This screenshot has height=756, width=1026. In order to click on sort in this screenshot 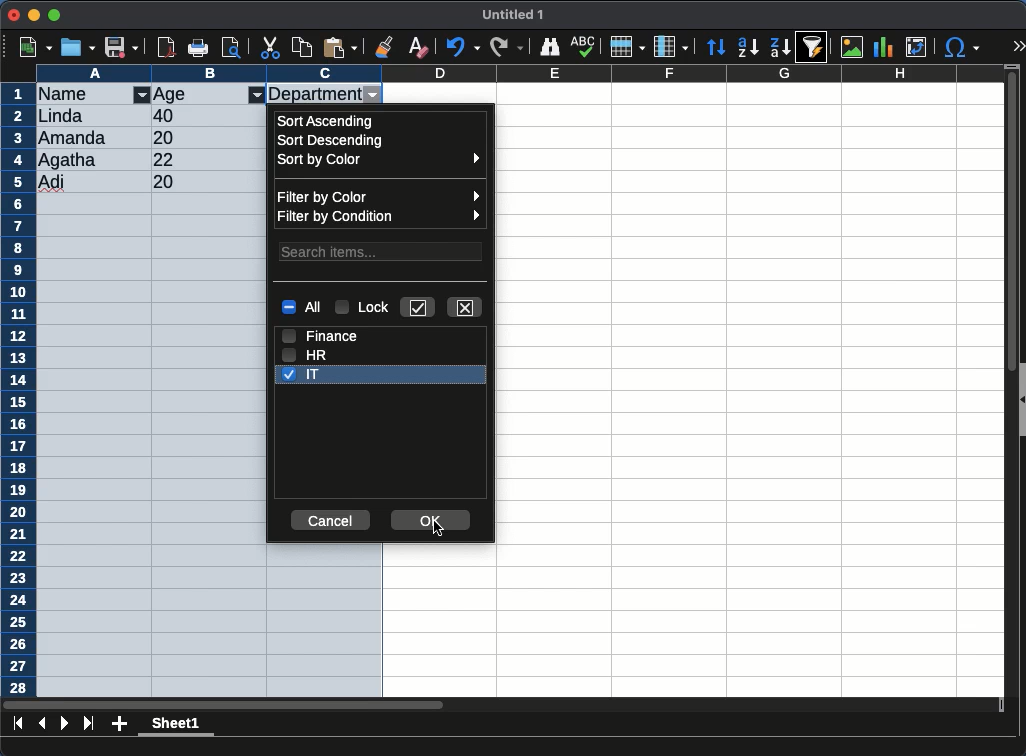, I will do `click(718, 47)`.